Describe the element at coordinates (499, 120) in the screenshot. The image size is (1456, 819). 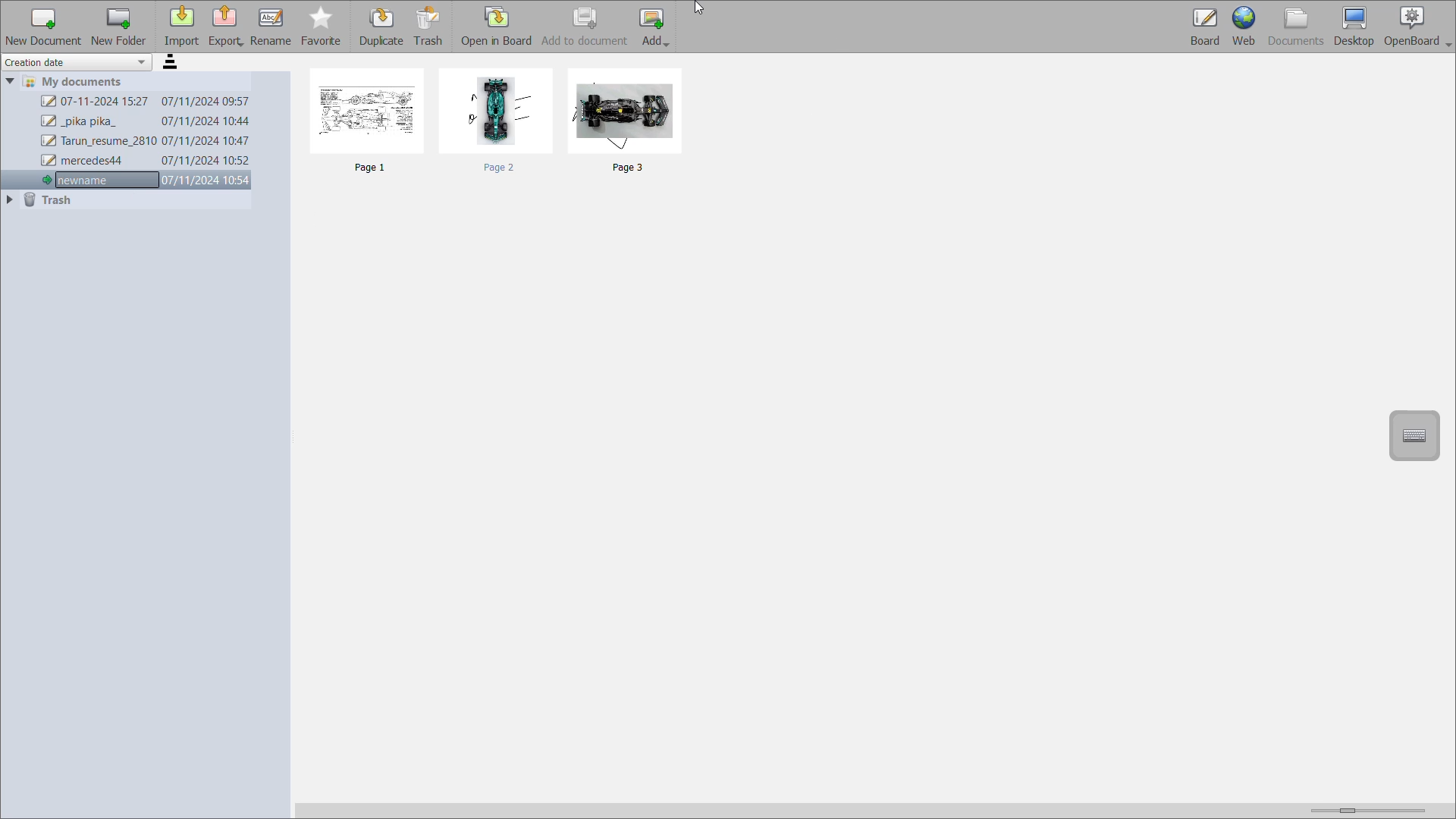
I see `page2` at that location.